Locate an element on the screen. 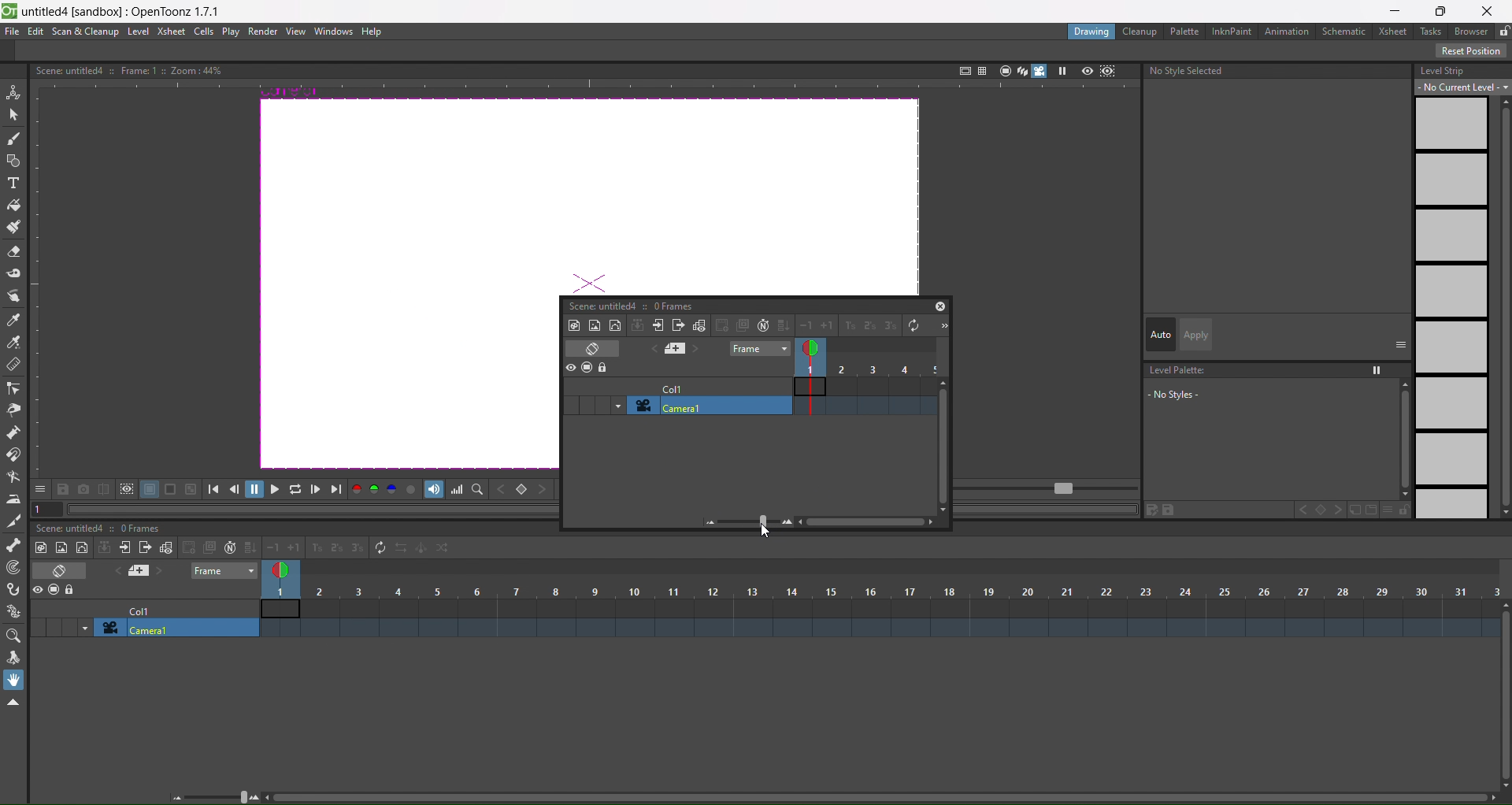 Image resolution: width=1512 pixels, height=805 pixels. add new memo is located at coordinates (140, 572).